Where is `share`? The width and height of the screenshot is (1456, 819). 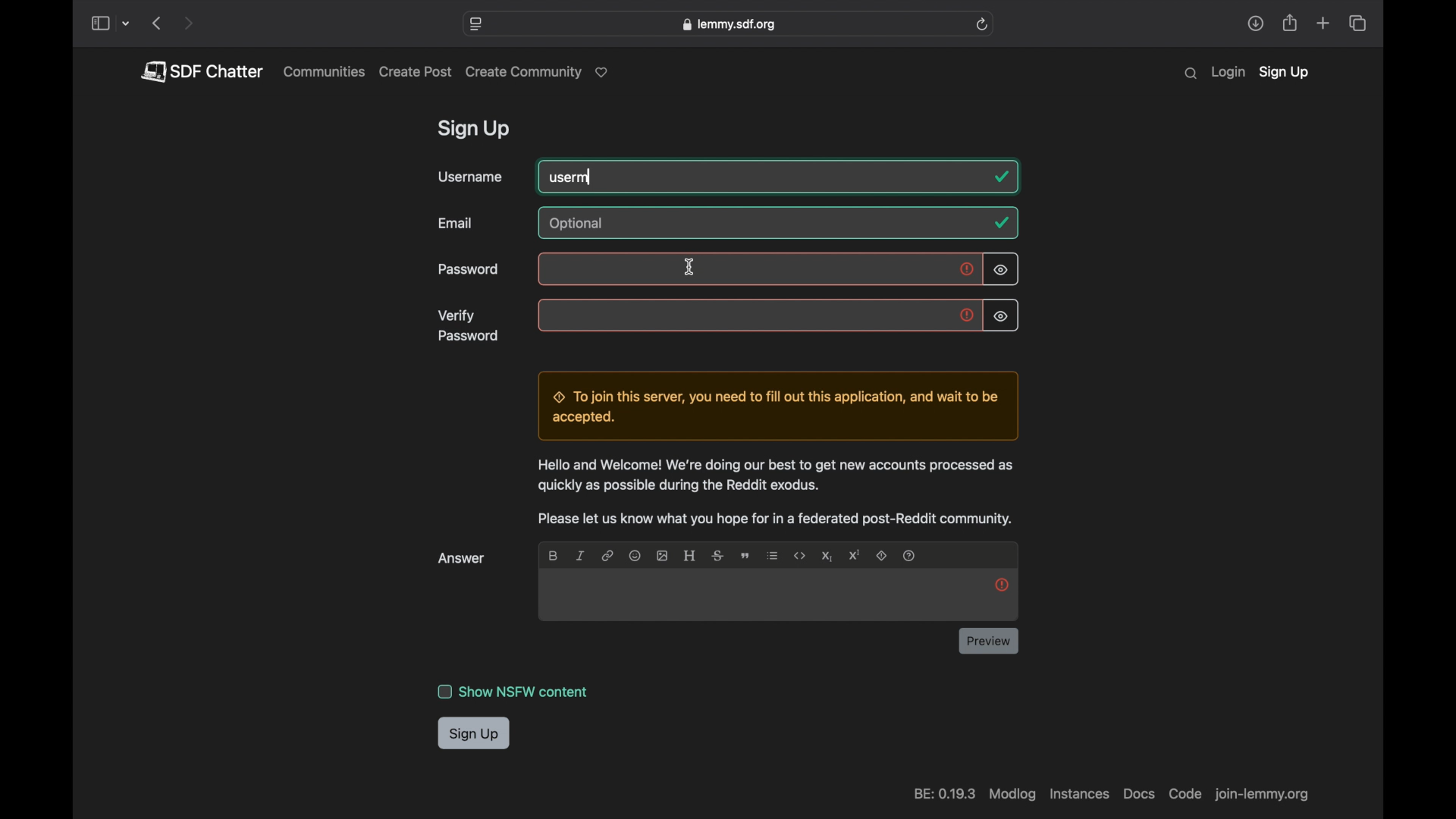
share is located at coordinates (1291, 24).